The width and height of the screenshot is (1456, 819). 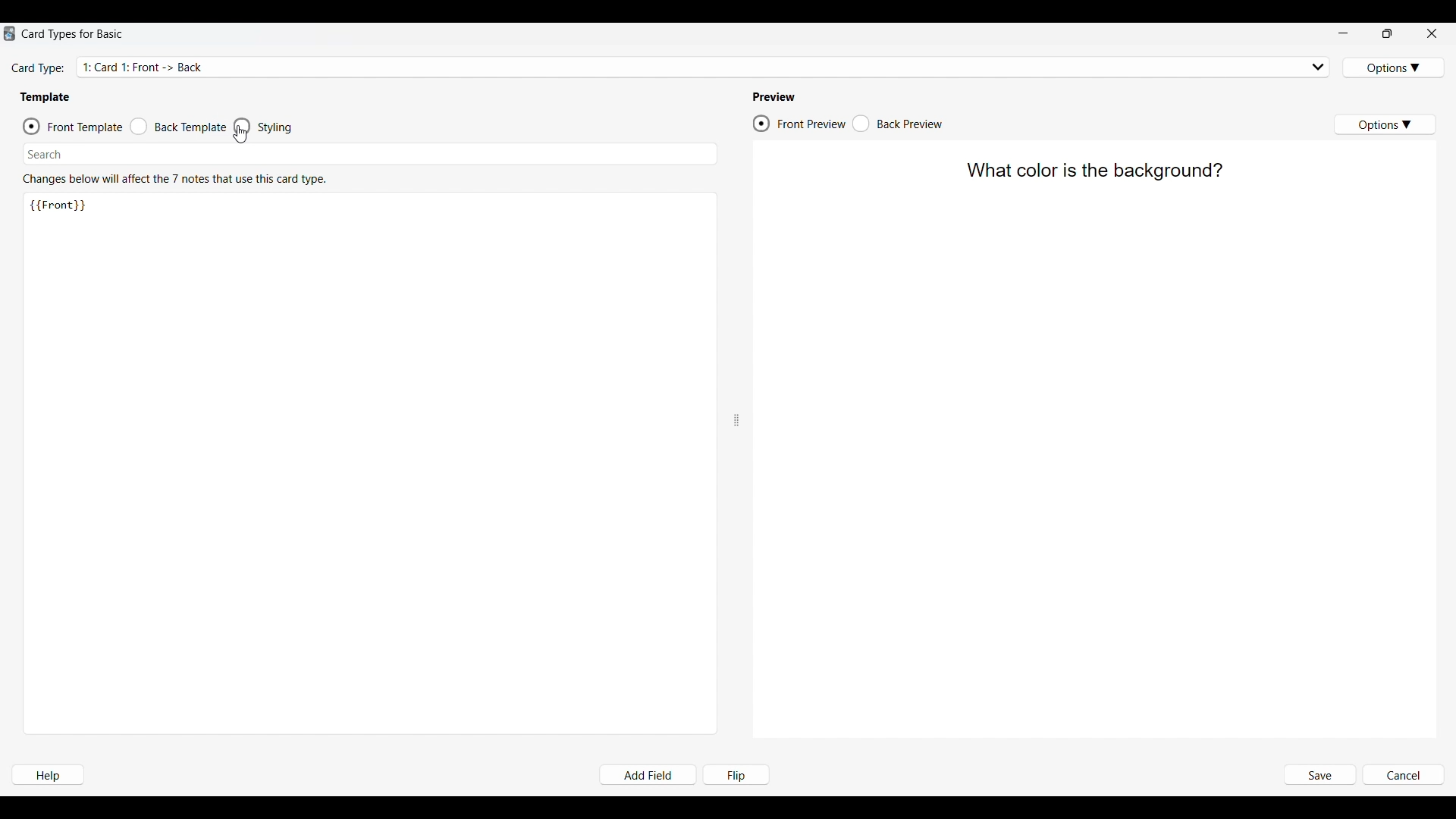 What do you see at coordinates (1384, 124) in the screenshot?
I see `Preview options` at bounding box center [1384, 124].